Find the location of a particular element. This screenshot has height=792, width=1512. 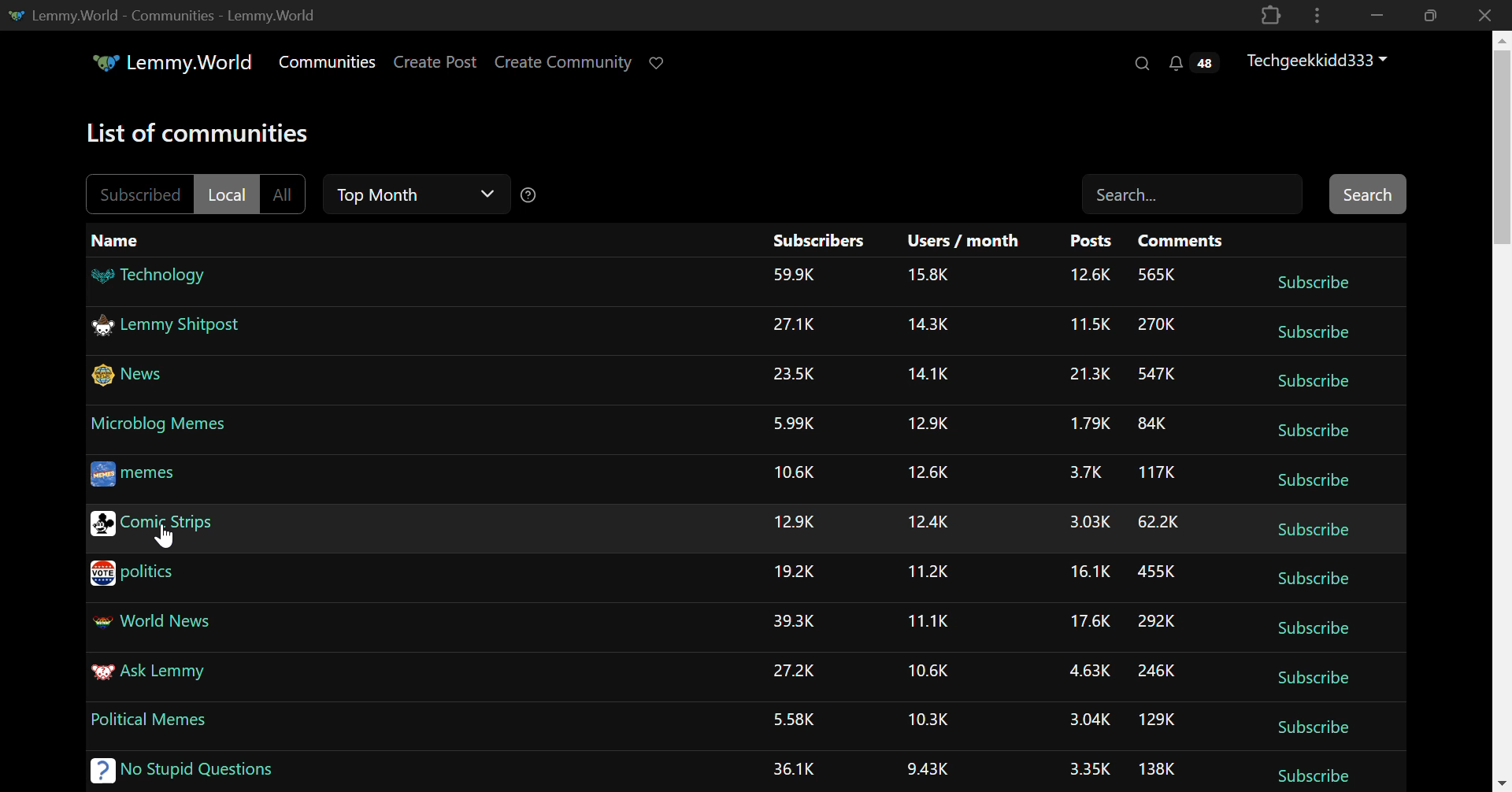

12.6K is located at coordinates (928, 470).